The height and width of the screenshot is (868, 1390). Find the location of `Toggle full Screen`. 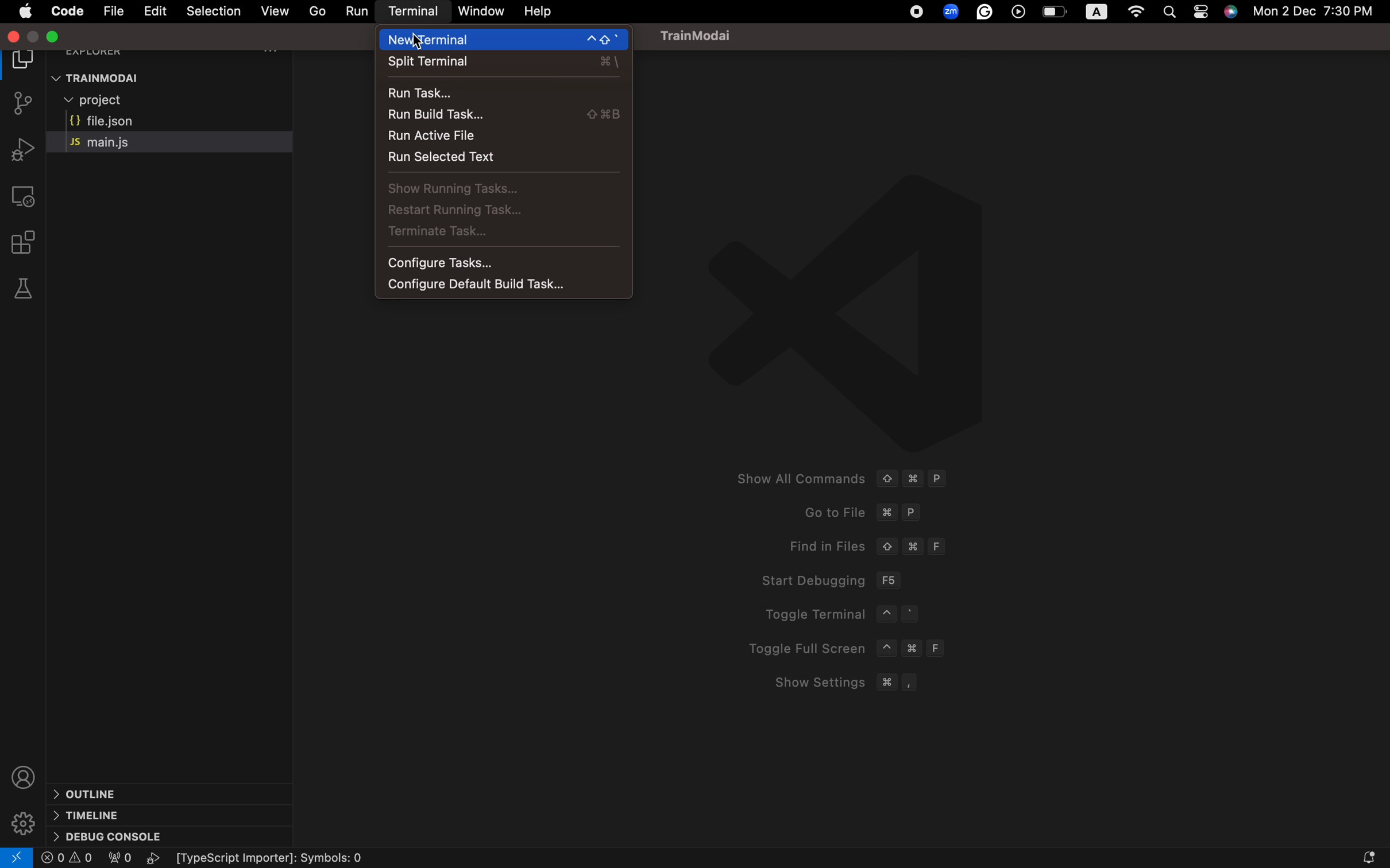

Toggle full Screen is located at coordinates (851, 648).